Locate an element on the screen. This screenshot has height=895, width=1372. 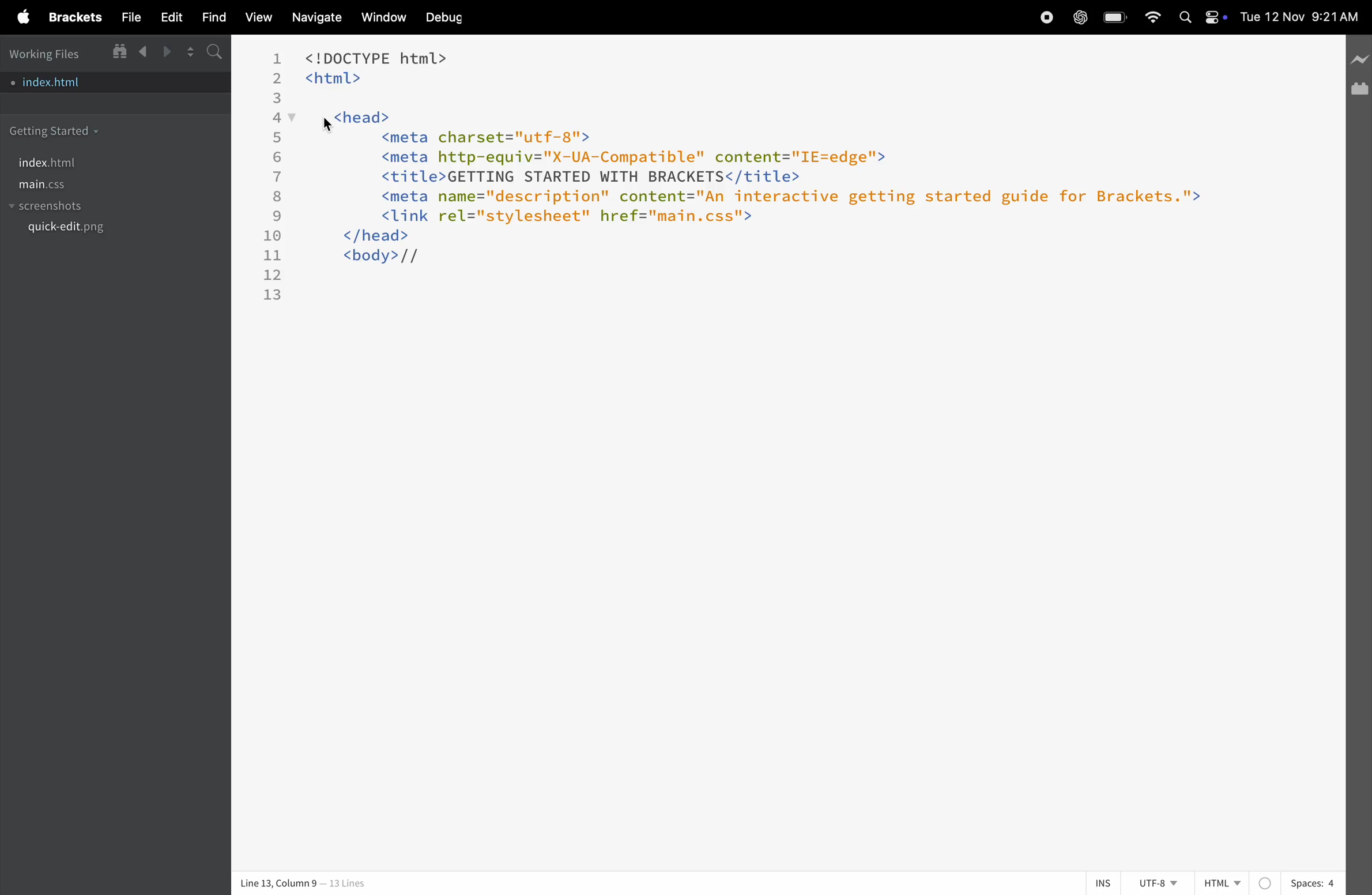
utf 8 is located at coordinates (1151, 883).